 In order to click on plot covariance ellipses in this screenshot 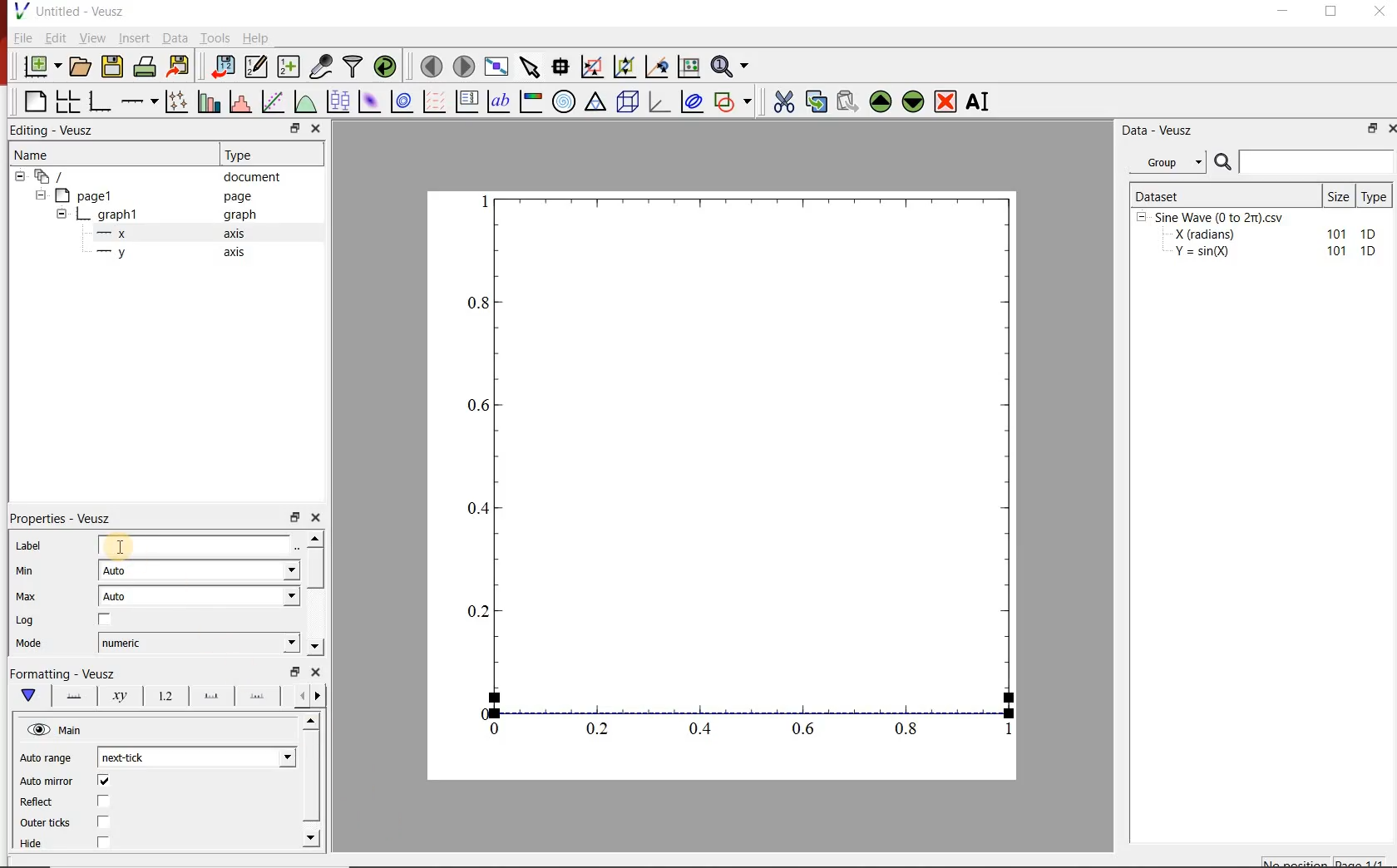, I will do `click(691, 101)`.